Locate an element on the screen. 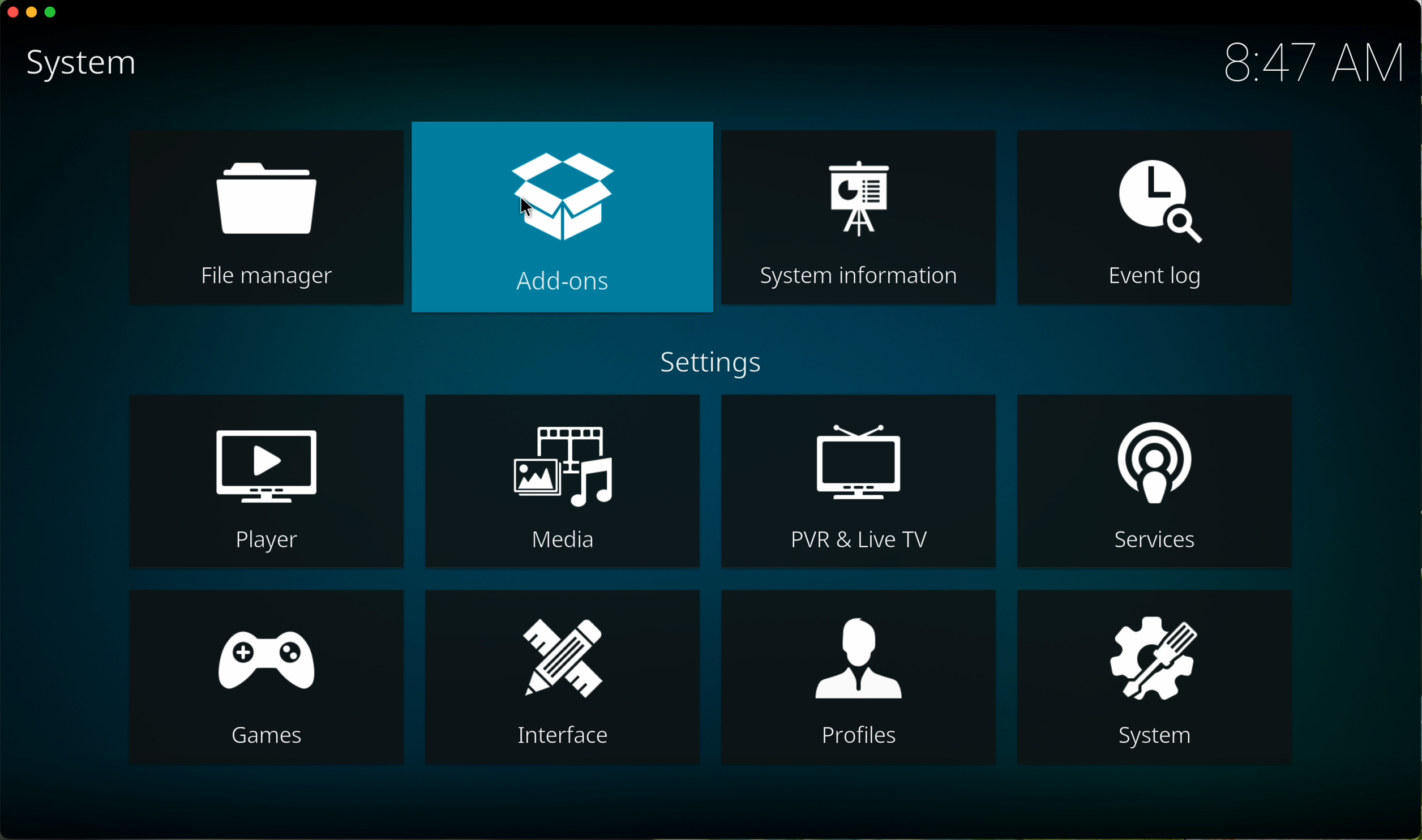 This screenshot has width=1422, height=840. interface is located at coordinates (563, 676).